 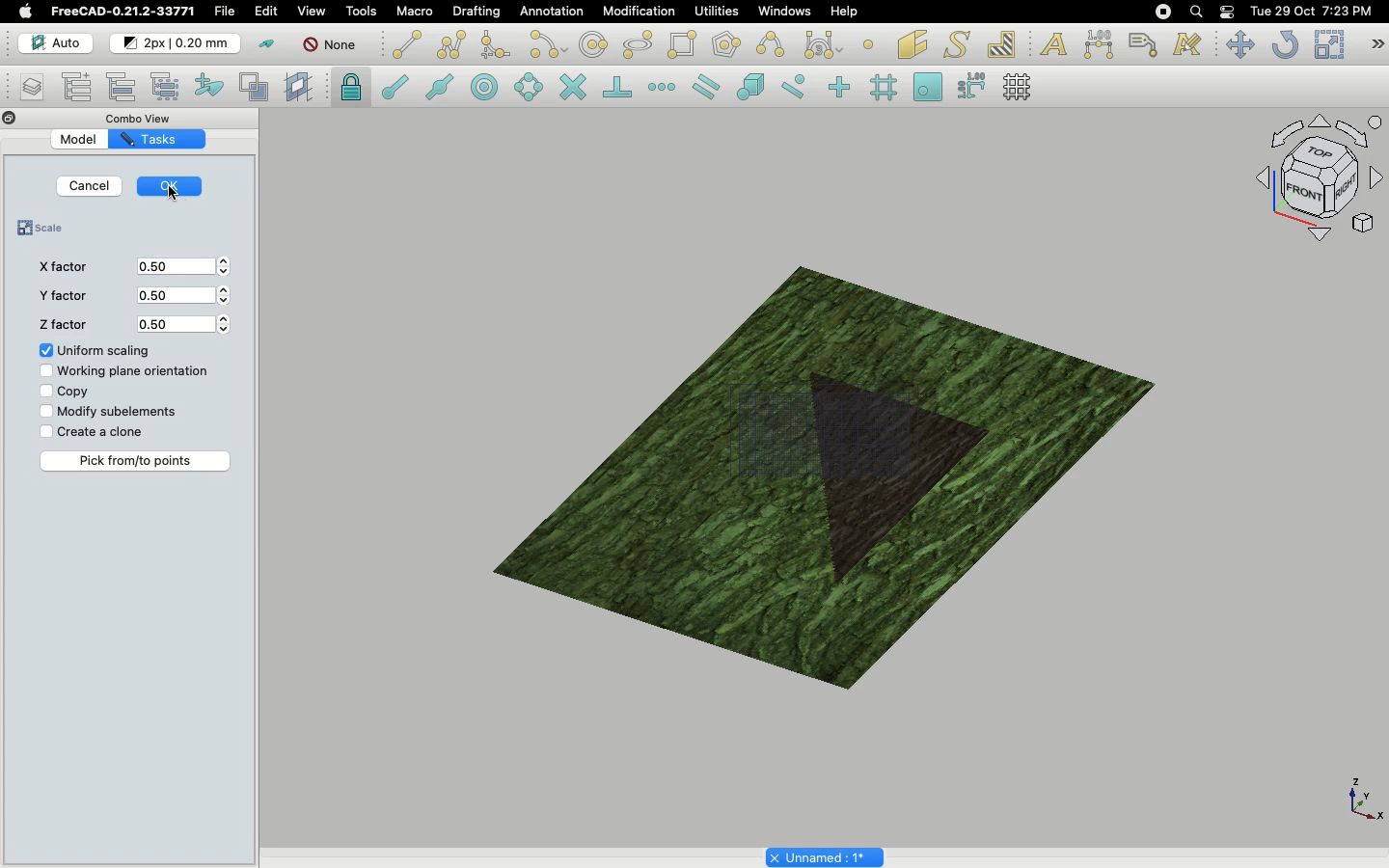 I want to click on Toggle construction mode, so click(x=265, y=43).